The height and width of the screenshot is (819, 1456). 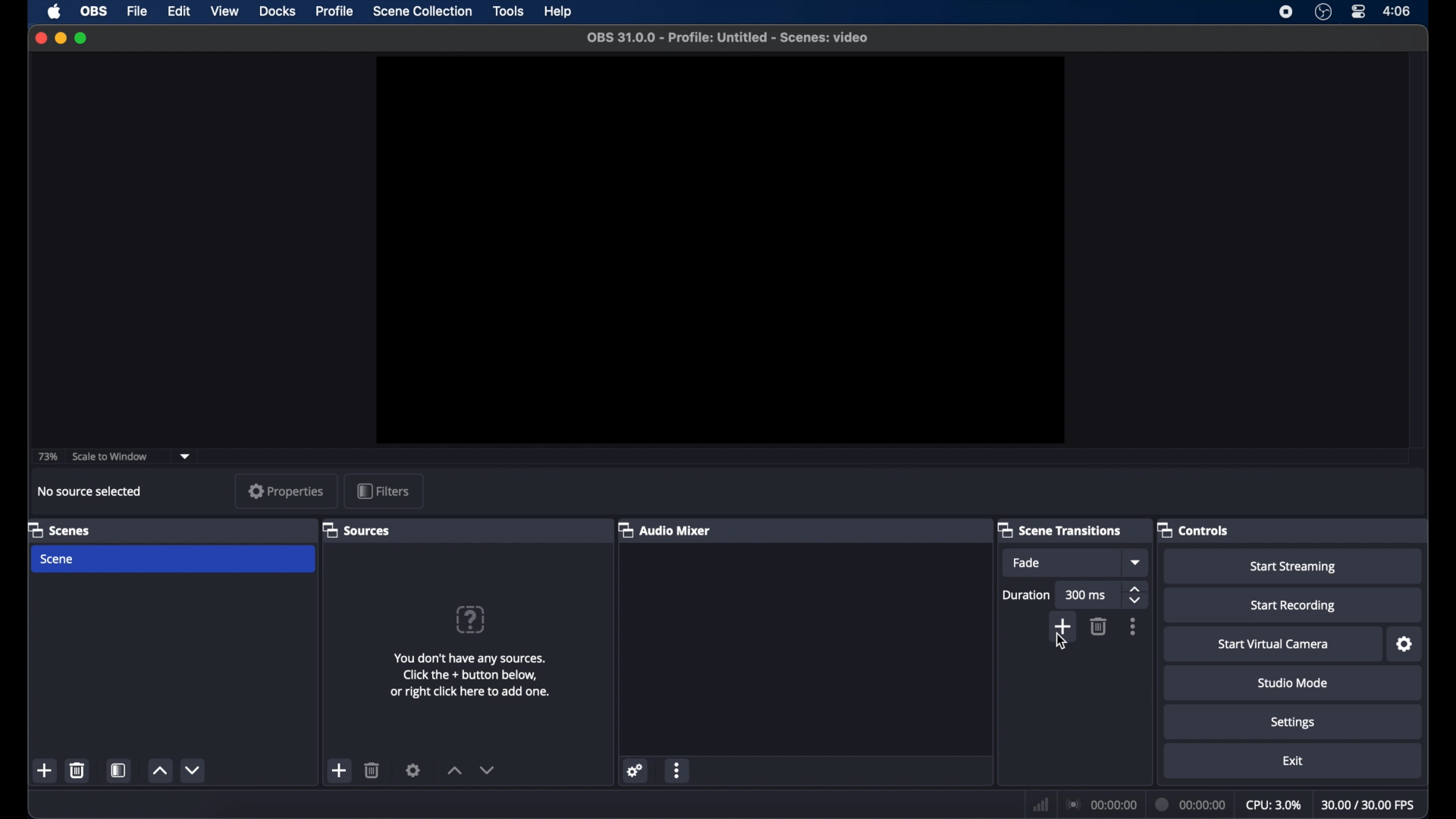 What do you see at coordinates (720, 250) in the screenshot?
I see `preview` at bounding box center [720, 250].